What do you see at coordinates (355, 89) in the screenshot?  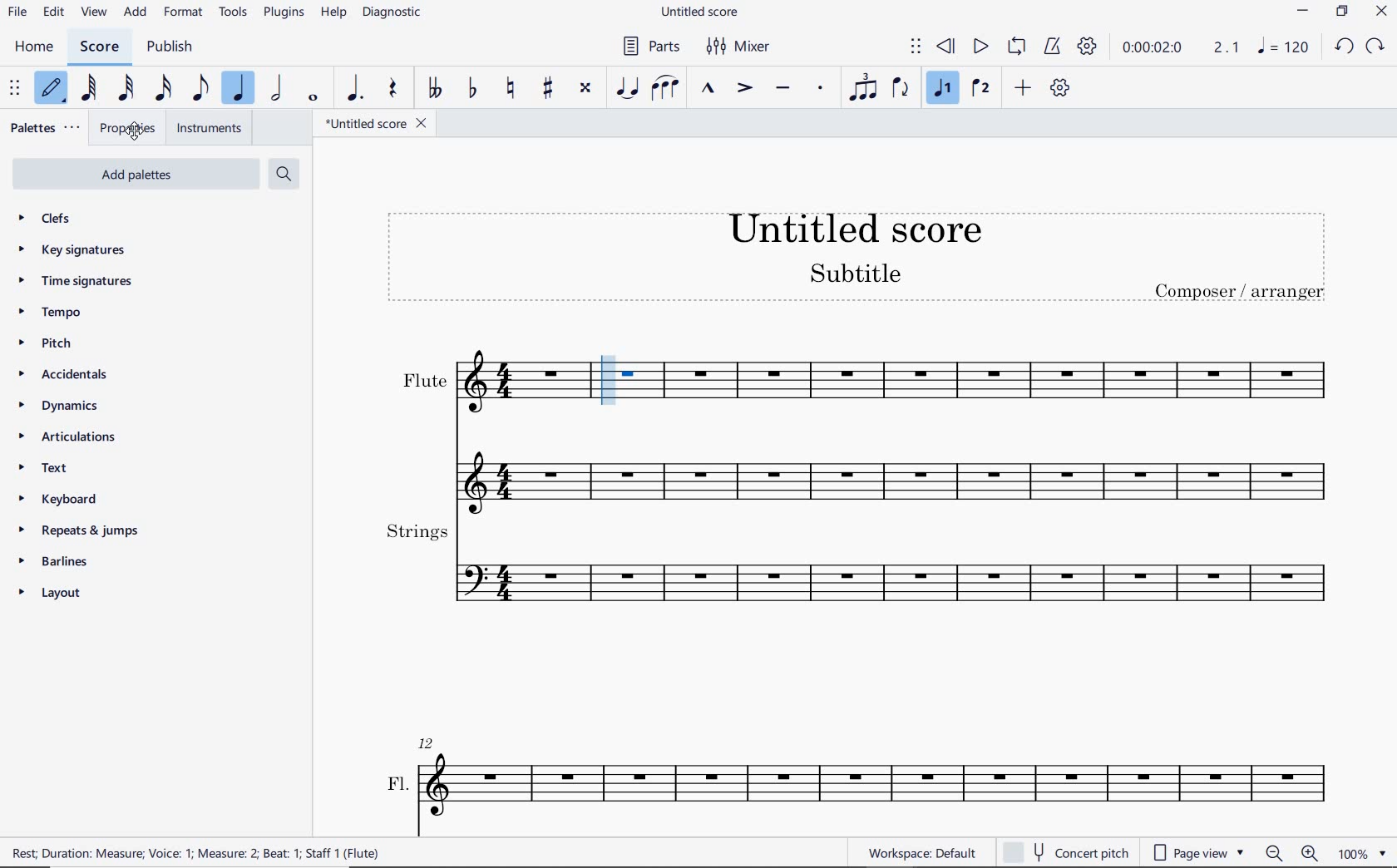 I see `AUGMENTATION DOT` at bounding box center [355, 89].